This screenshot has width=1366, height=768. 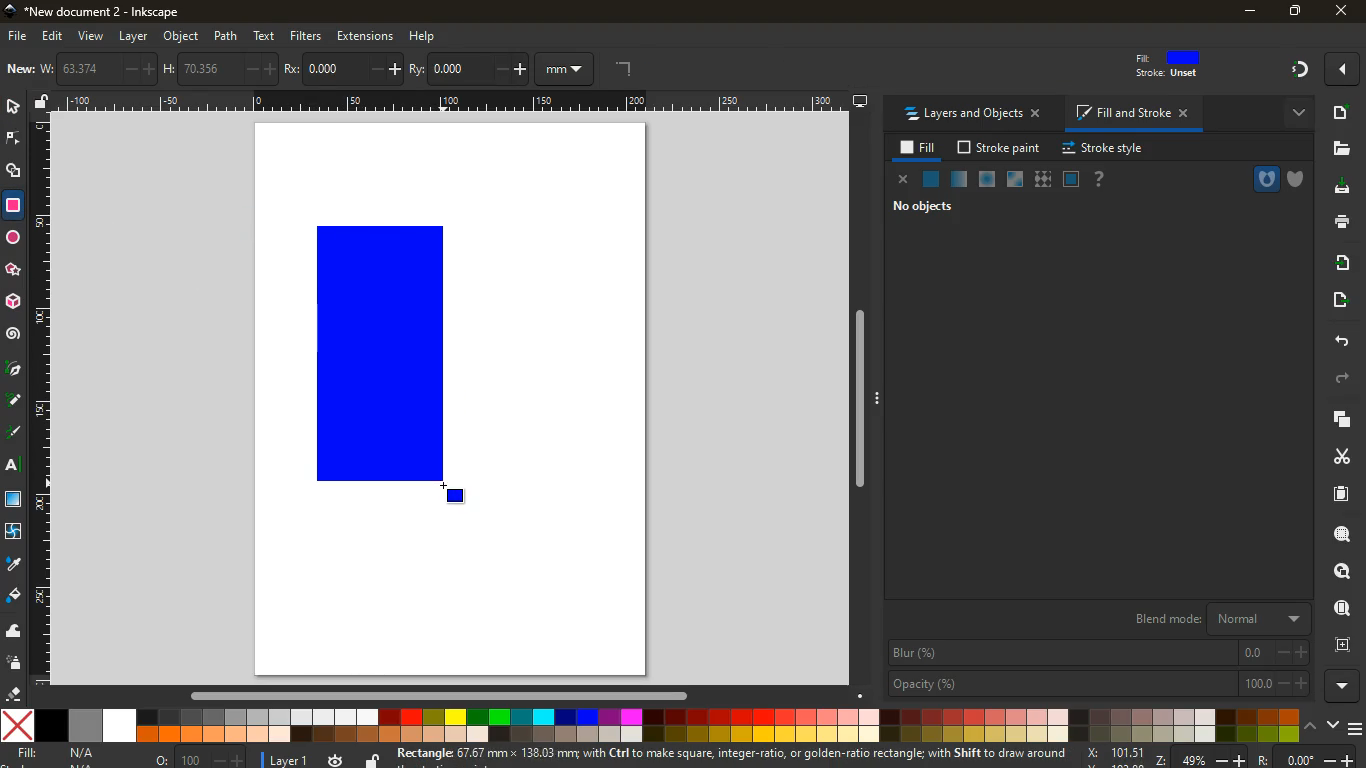 I want to click on maximize, so click(x=1293, y=10).